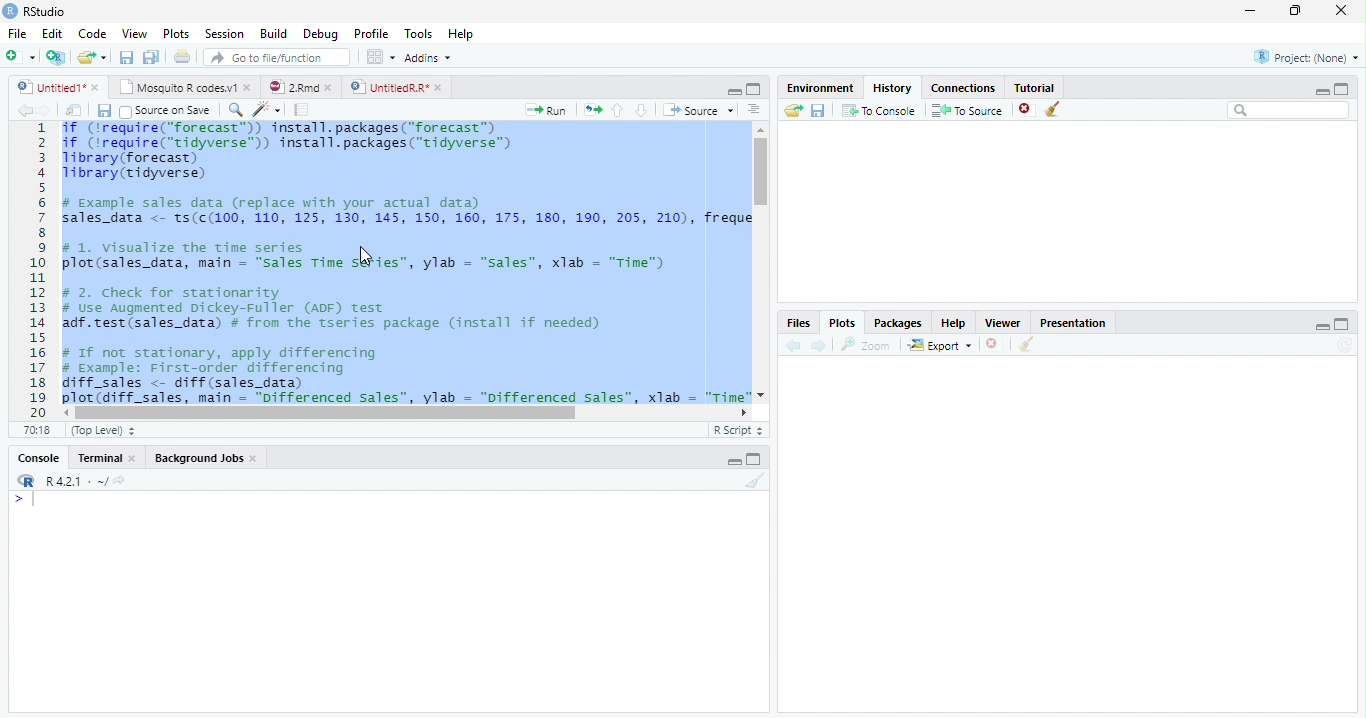 Image resolution: width=1366 pixels, height=718 pixels. Describe the element at coordinates (843, 323) in the screenshot. I see `Plots` at that location.